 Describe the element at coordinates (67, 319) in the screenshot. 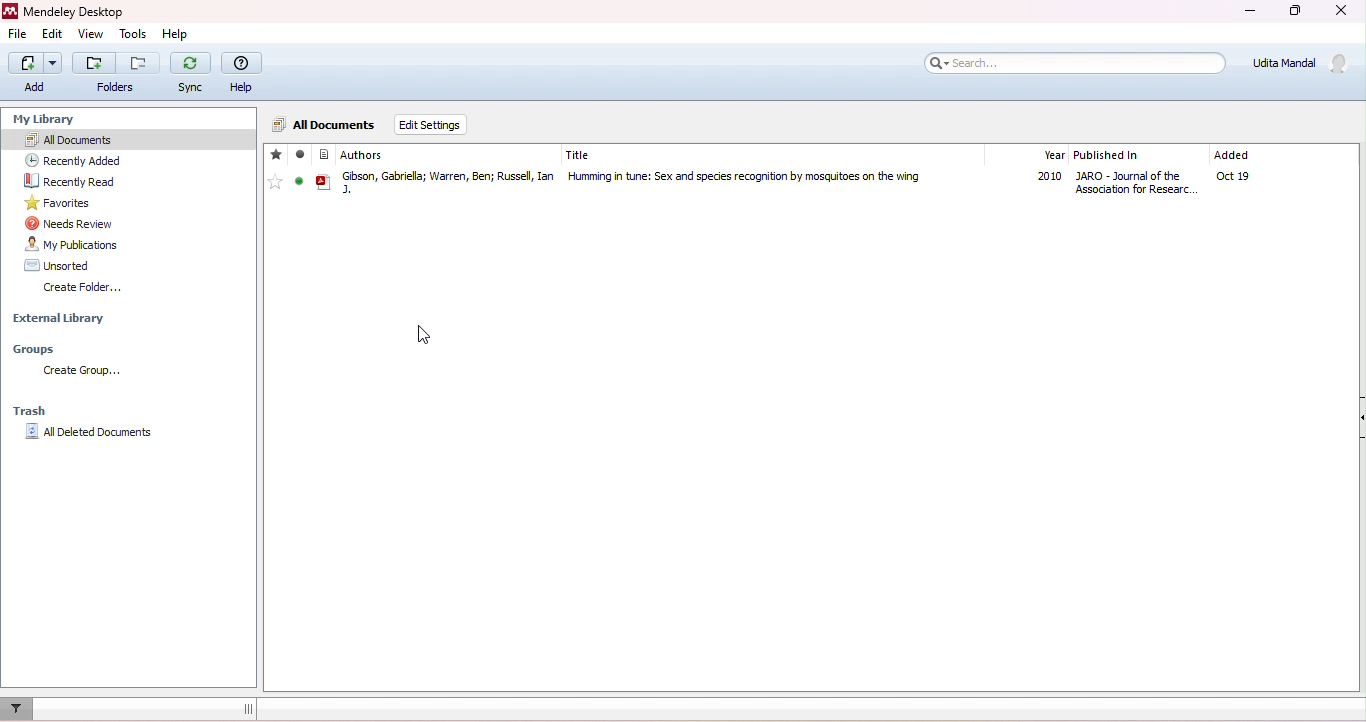

I see `external library` at that location.